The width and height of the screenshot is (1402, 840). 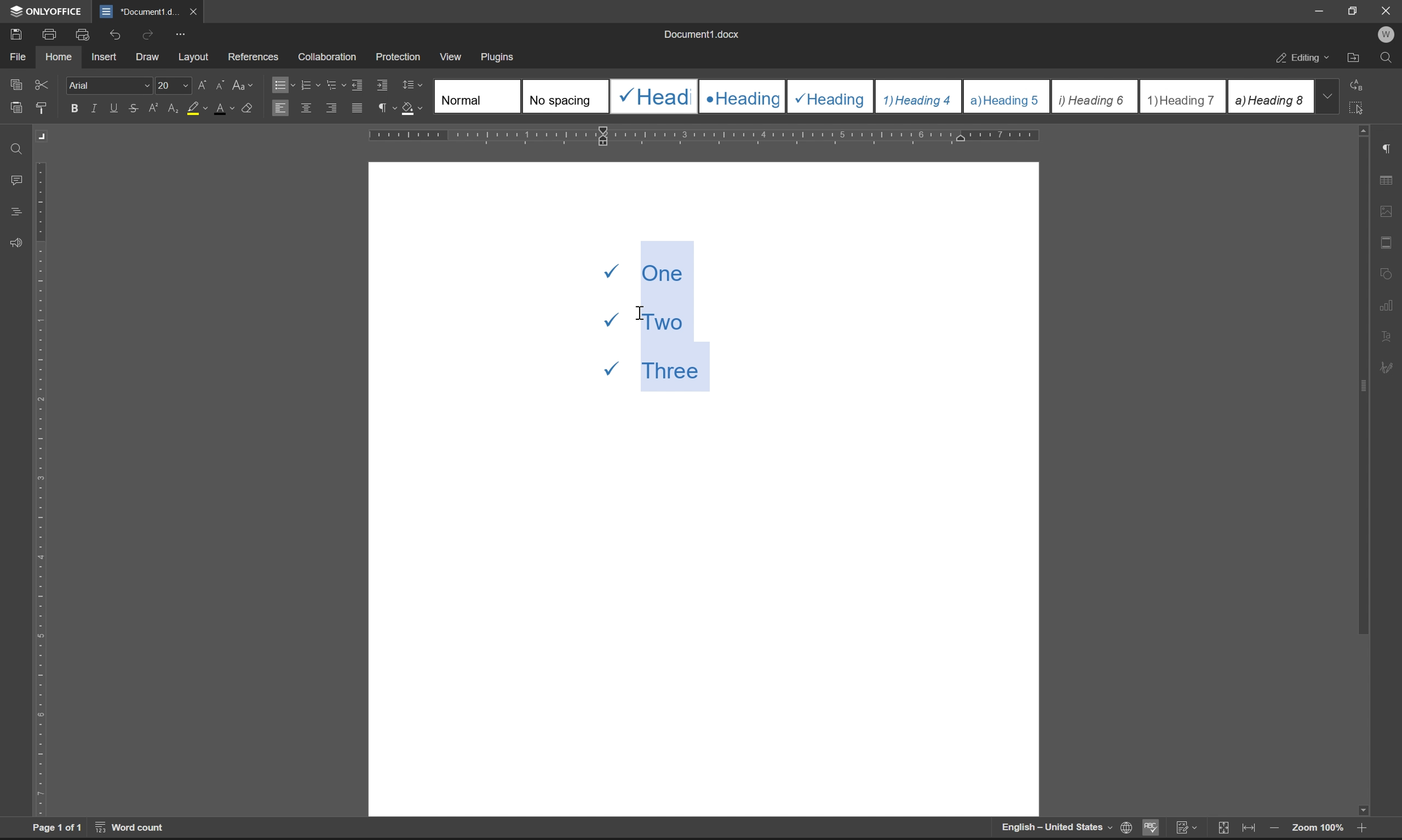 I want to click on Heading 7, so click(x=1183, y=97).